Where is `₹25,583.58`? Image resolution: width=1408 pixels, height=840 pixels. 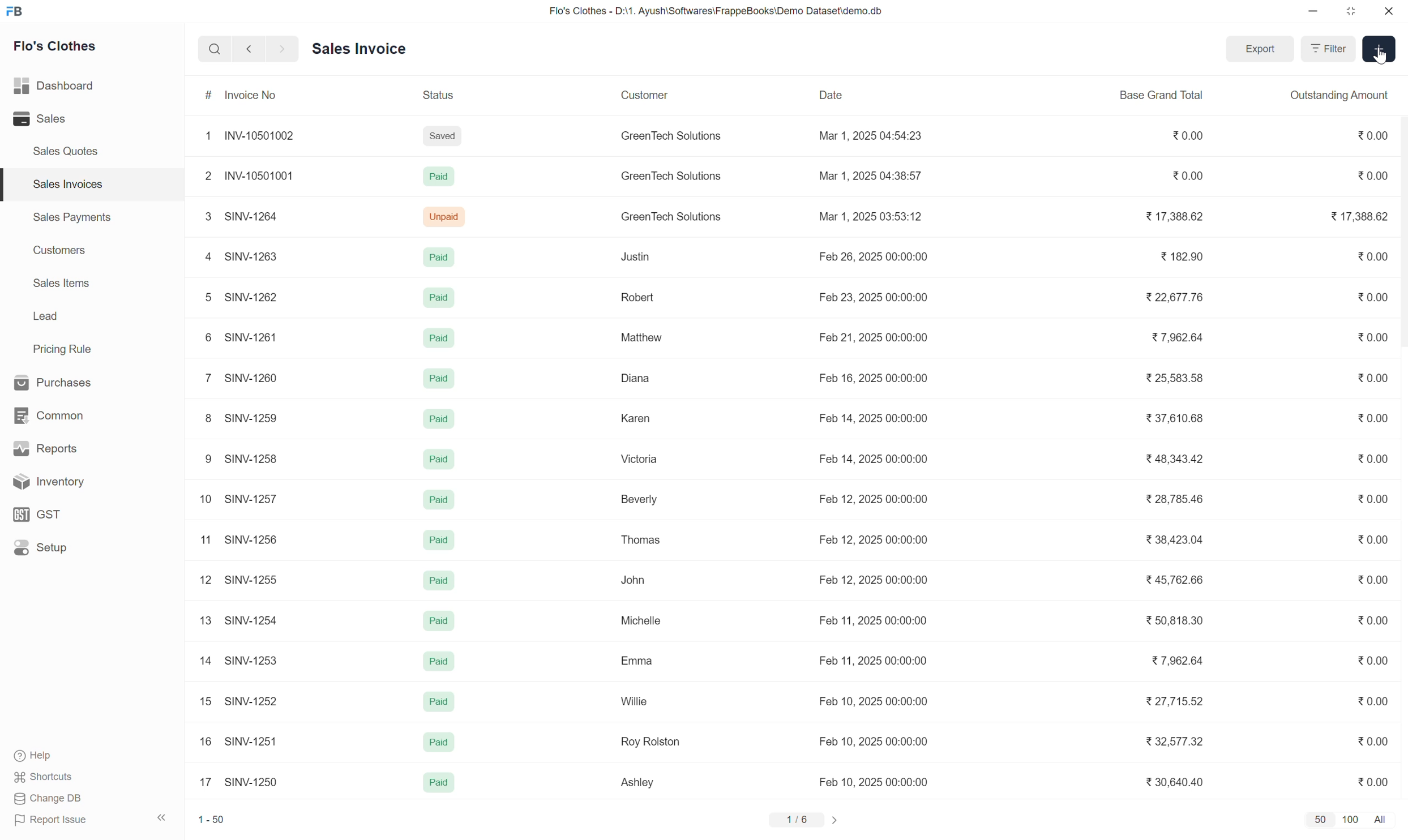
₹25,583.58 is located at coordinates (1178, 380).